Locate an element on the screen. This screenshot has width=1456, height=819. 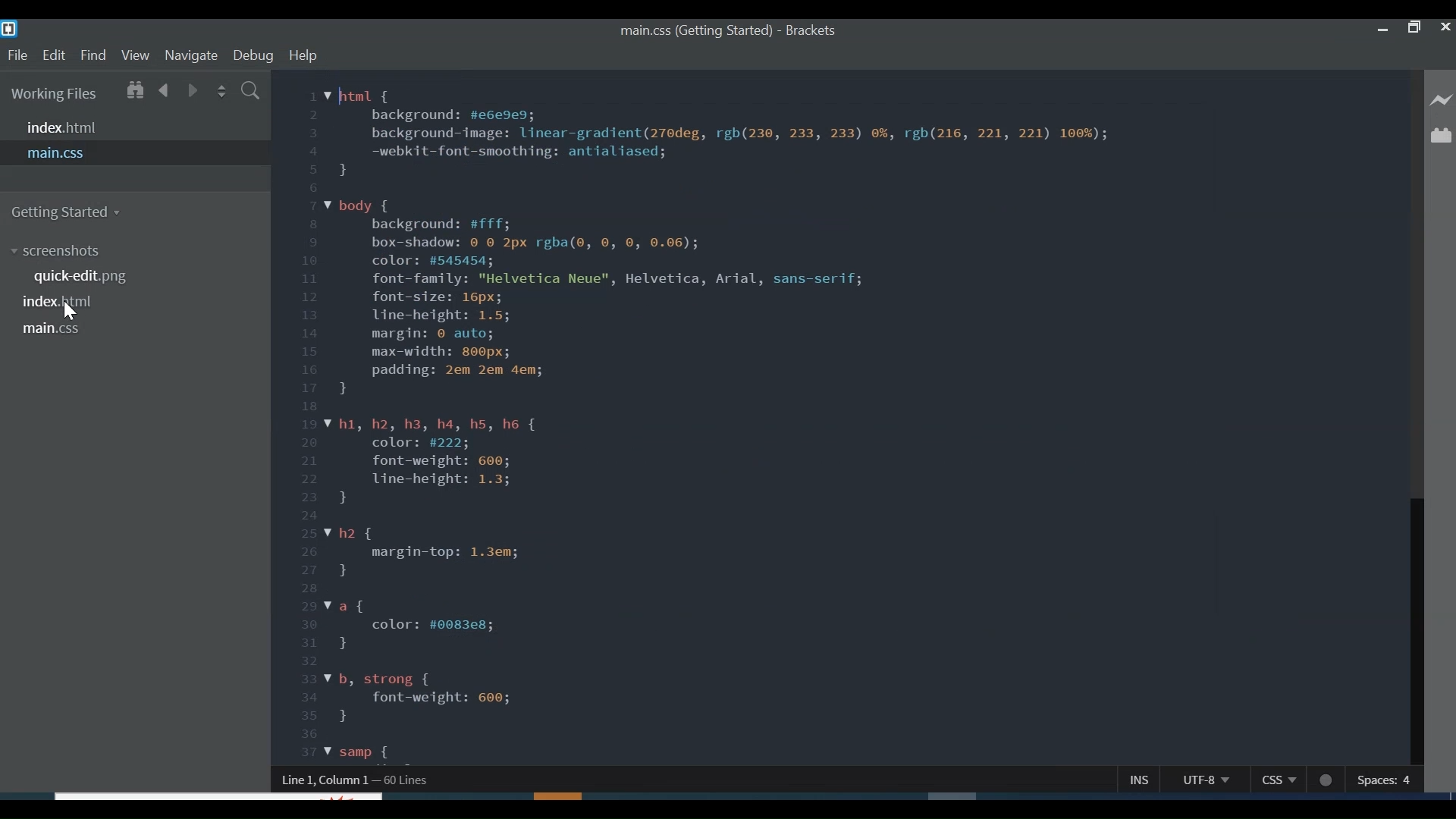
Show in File Tree is located at coordinates (137, 90).